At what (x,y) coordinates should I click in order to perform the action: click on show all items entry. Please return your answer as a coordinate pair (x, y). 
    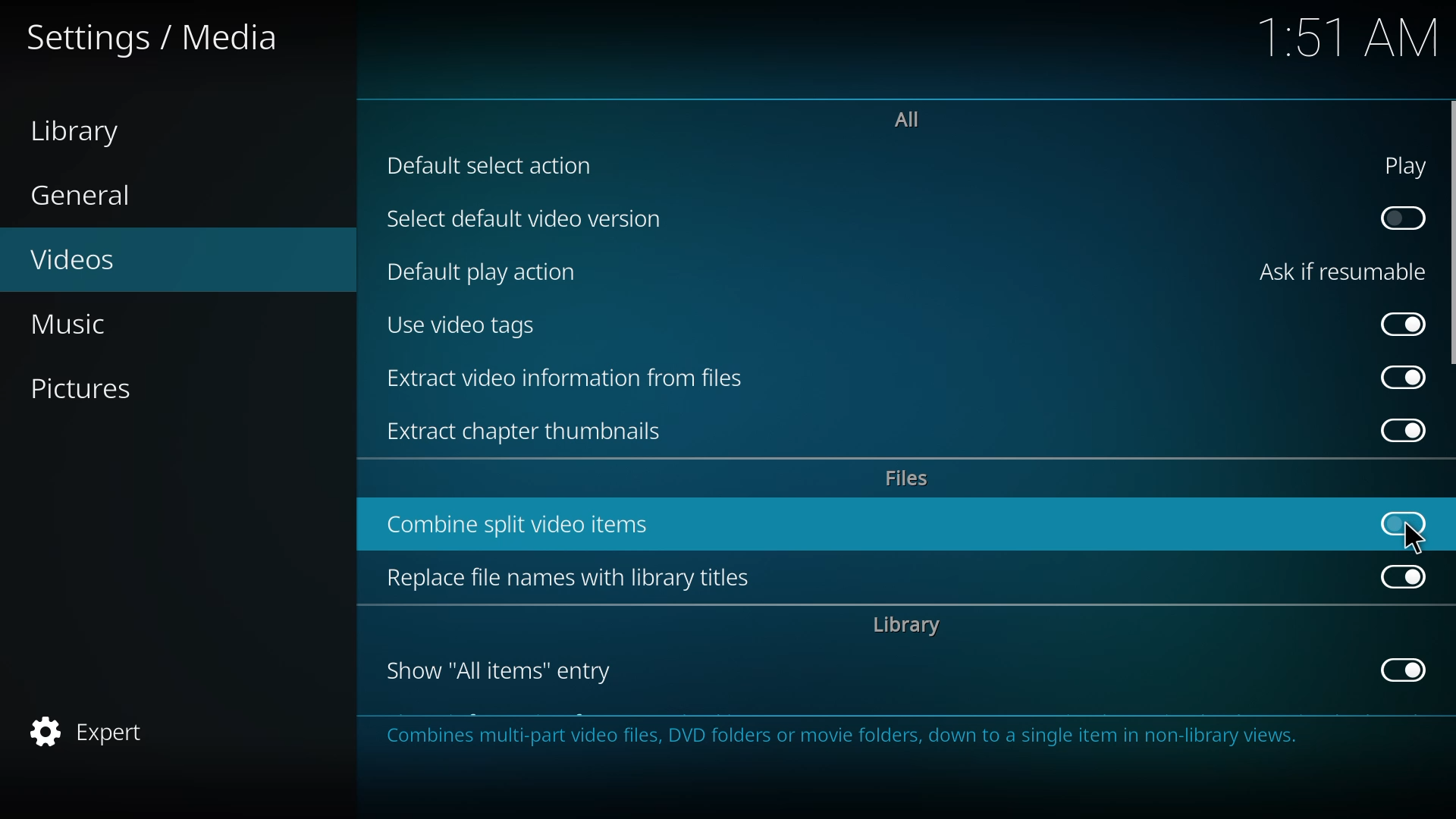
    Looking at the image, I should click on (500, 670).